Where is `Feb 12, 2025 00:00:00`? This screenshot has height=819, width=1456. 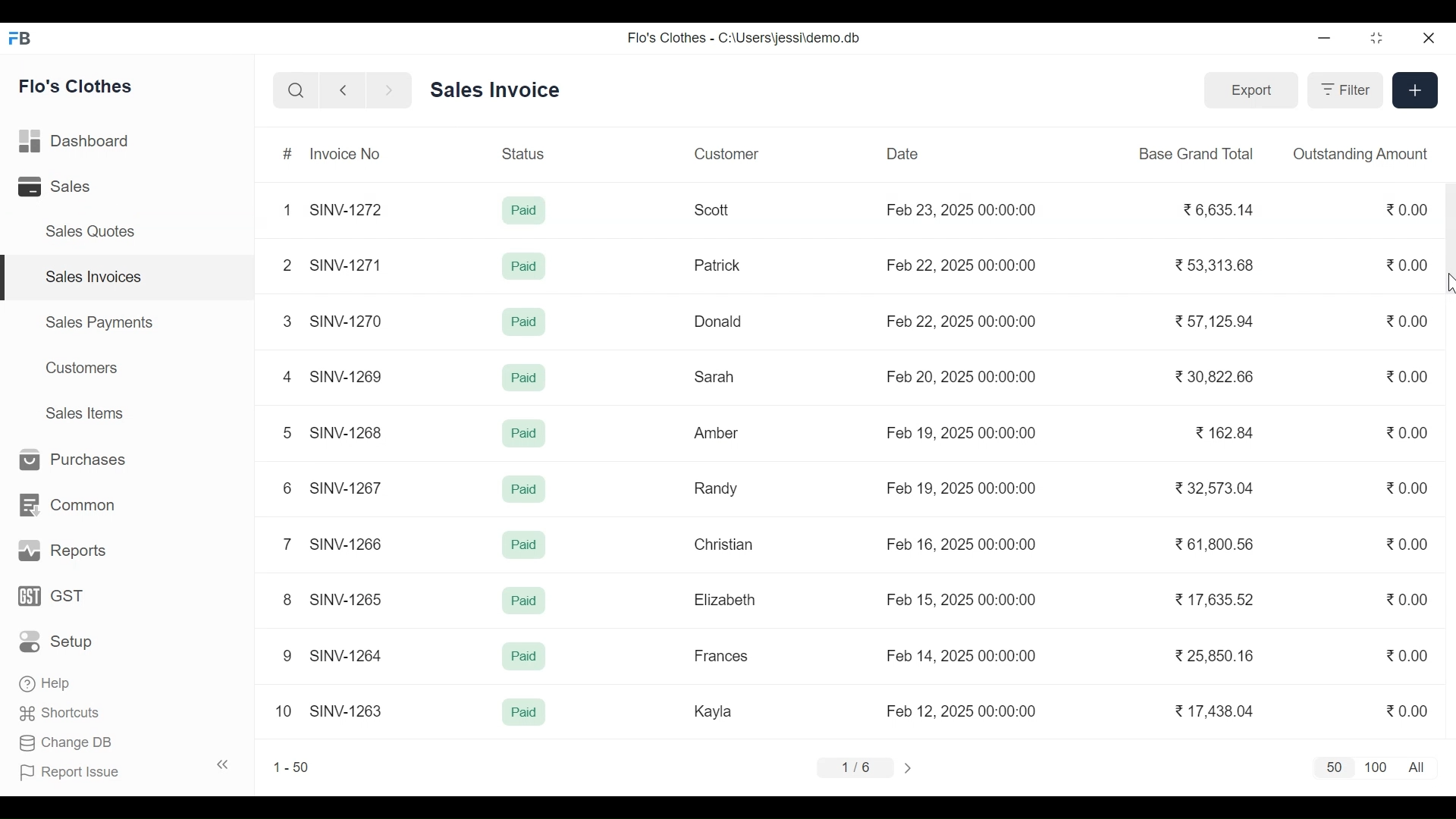
Feb 12, 2025 00:00:00 is located at coordinates (961, 711).